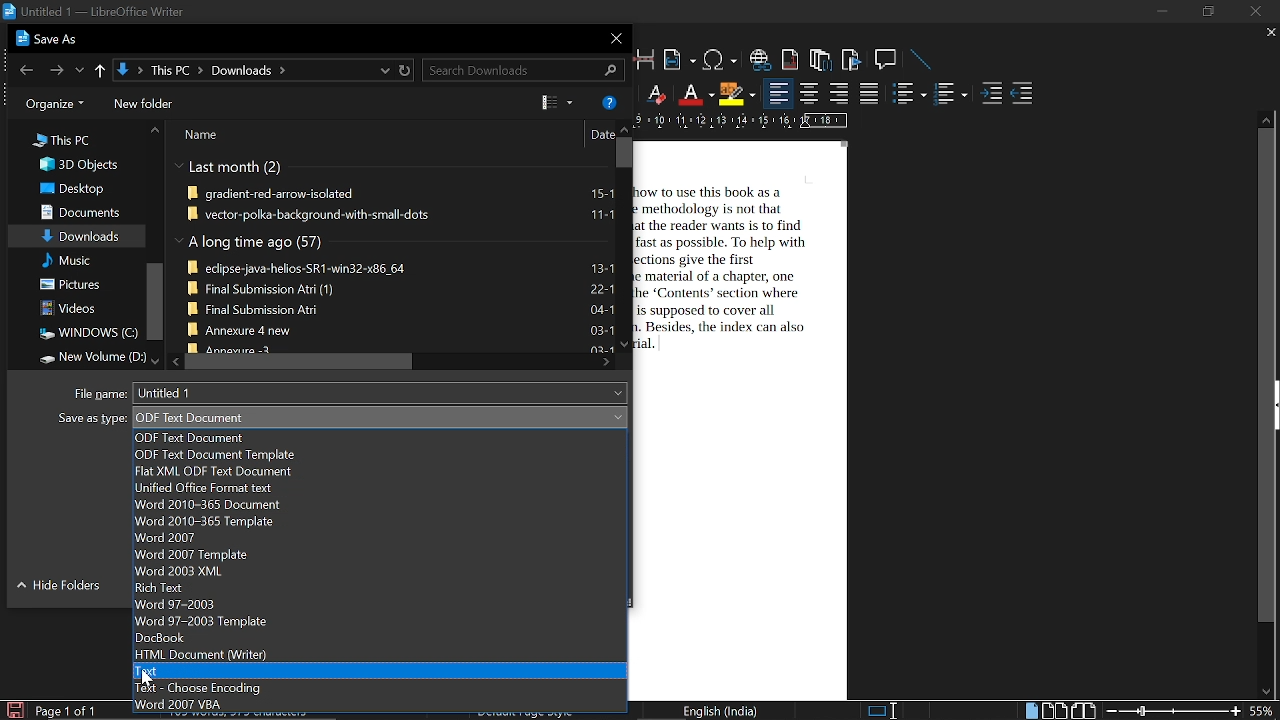 This screenshot has width=1280, height=720. Describe the element at coordinates (950, 94) in the screenshot. I see `toggle unordered list` at that location.